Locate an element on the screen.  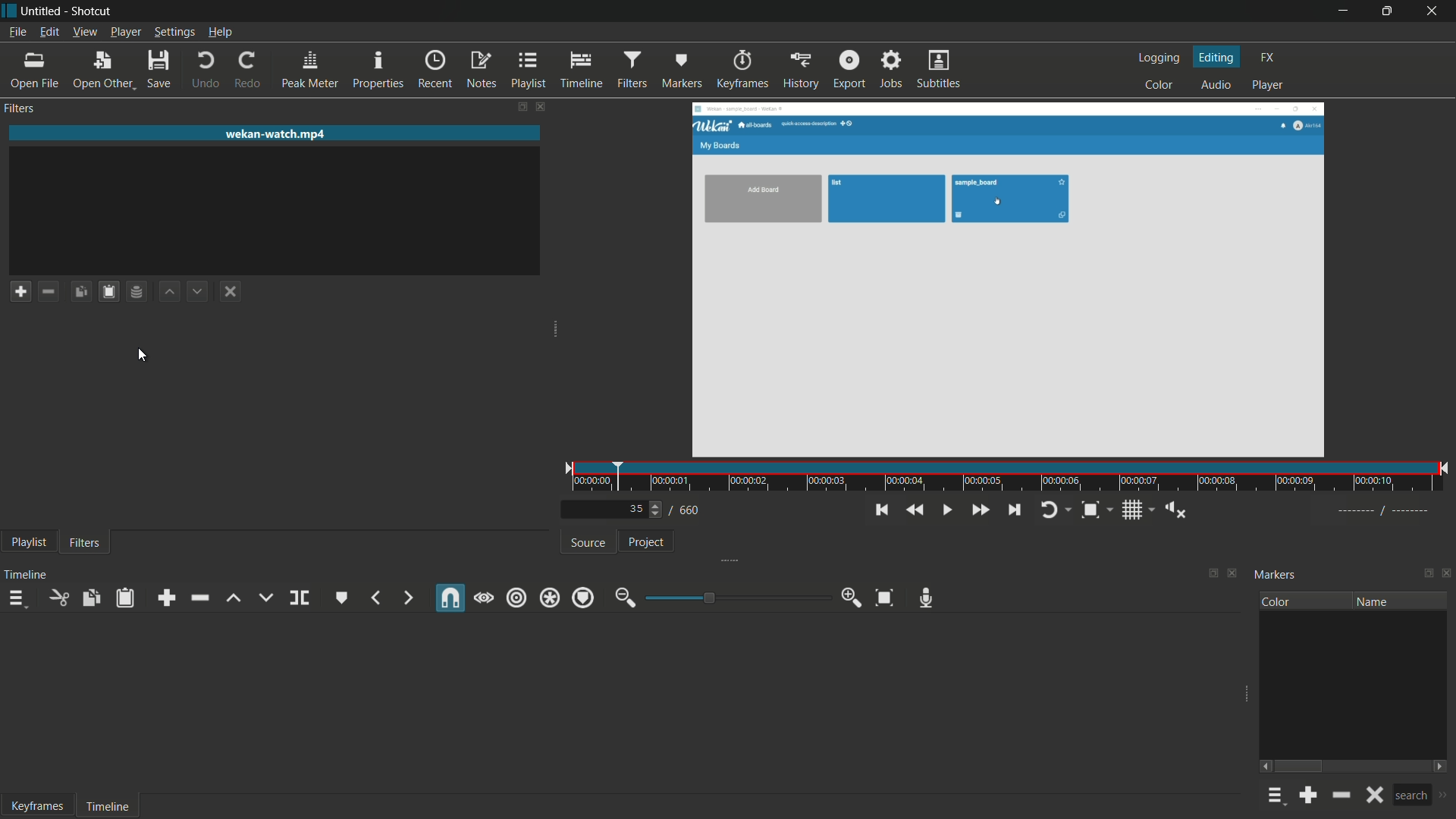
zoom in is located at coordinates (849, 598).